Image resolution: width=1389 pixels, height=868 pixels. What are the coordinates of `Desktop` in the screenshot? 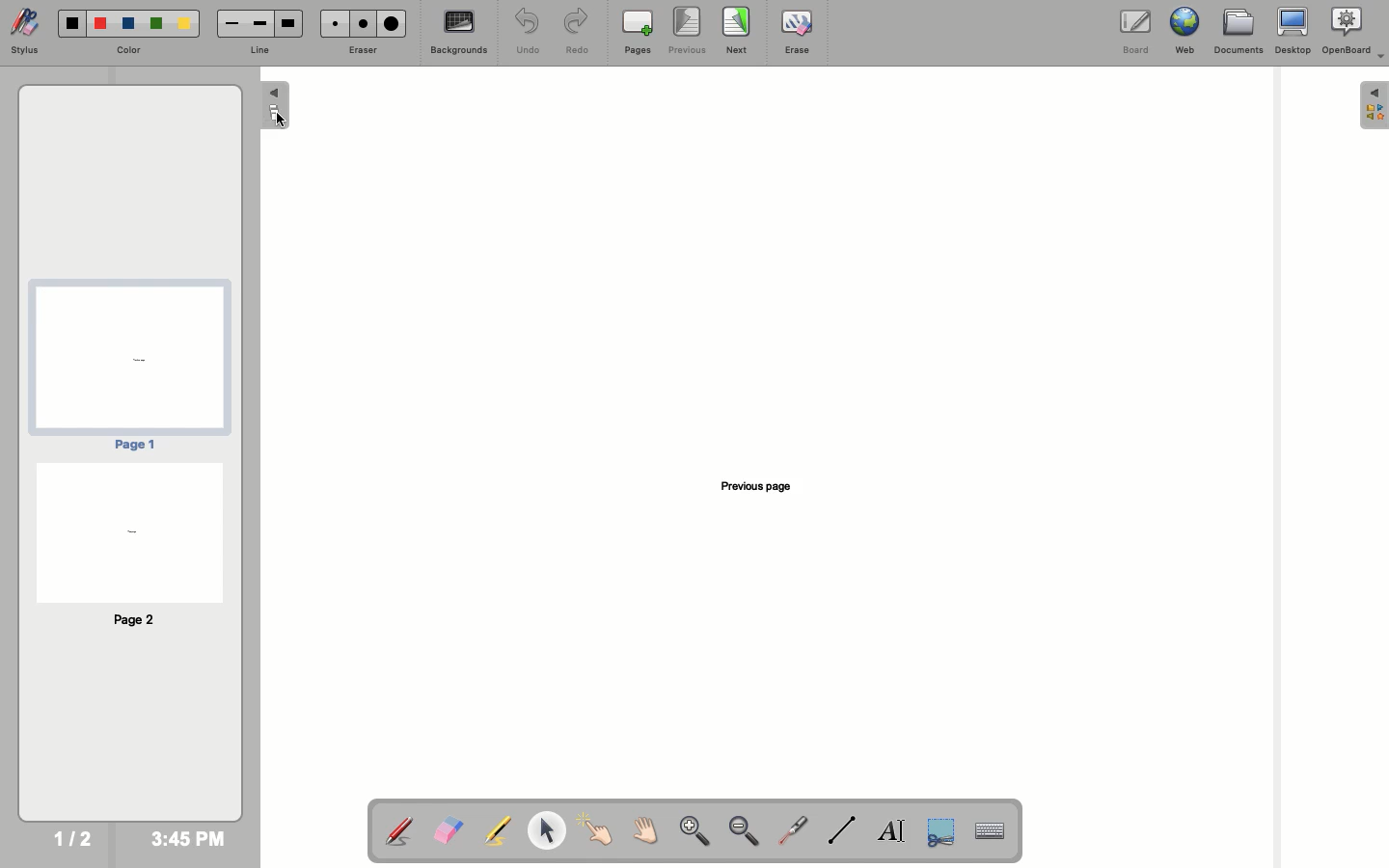 It's located at (1294, 31).